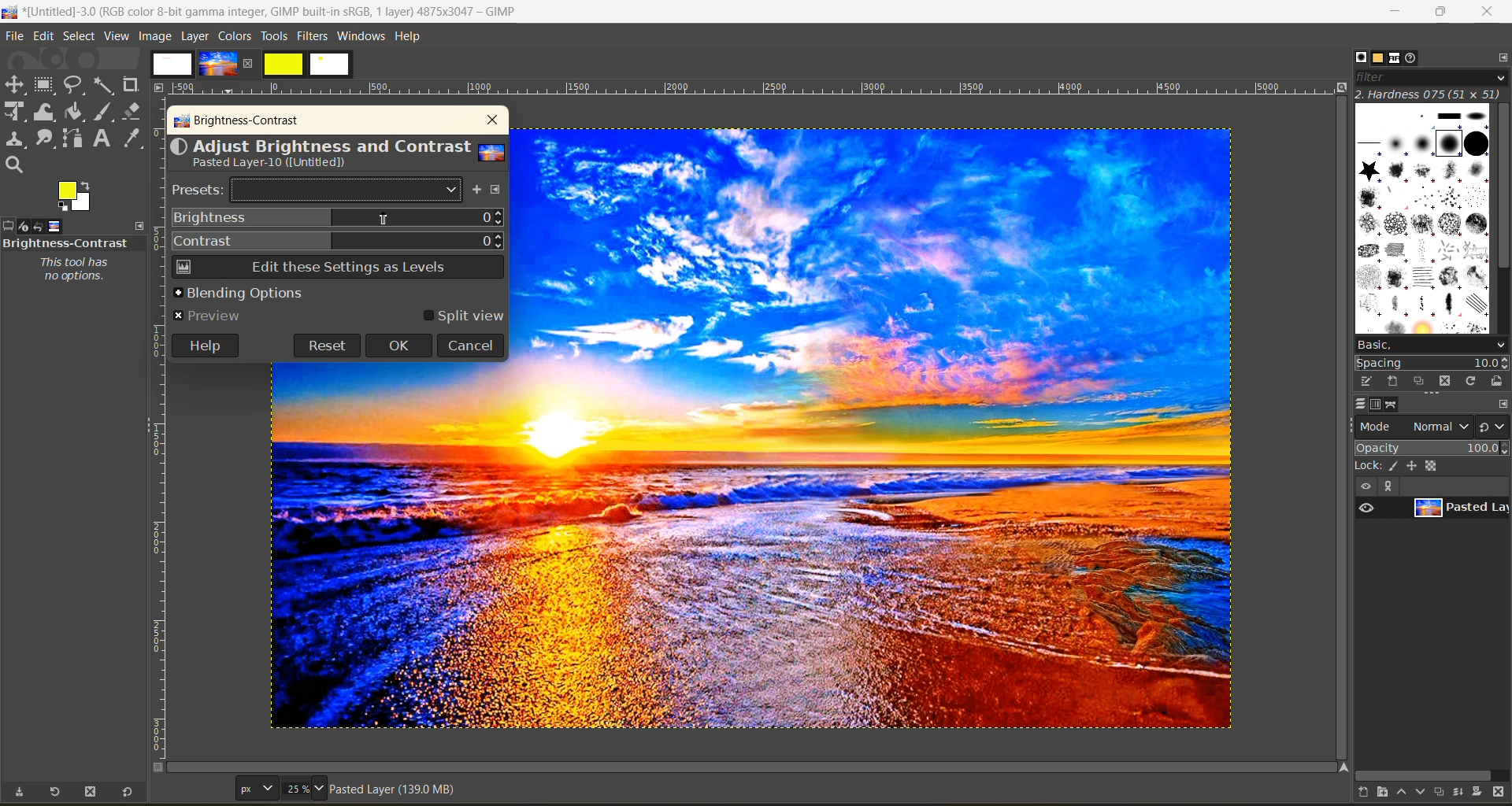  Describe the element at coordinates (1393, 12) in the screenshot. I see `minimize` at that location.